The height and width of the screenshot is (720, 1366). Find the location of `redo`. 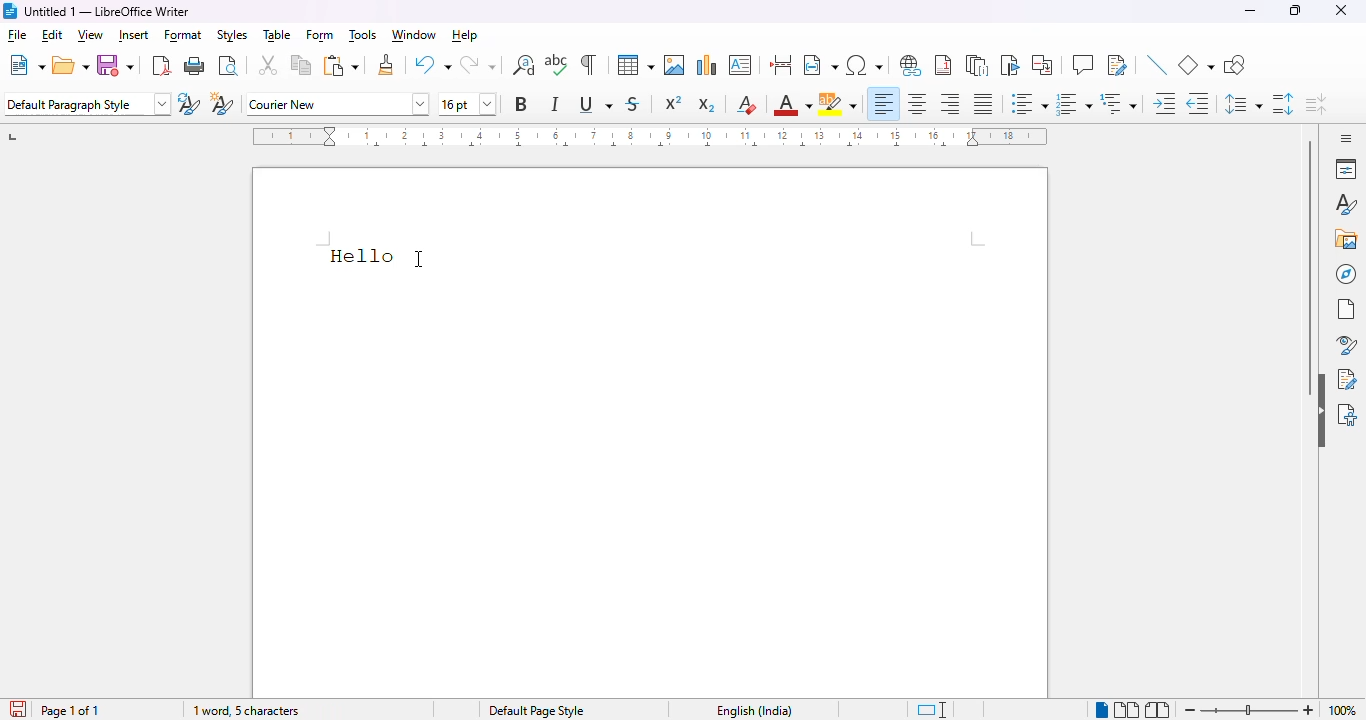

redo is located at coordinates (478, 65).